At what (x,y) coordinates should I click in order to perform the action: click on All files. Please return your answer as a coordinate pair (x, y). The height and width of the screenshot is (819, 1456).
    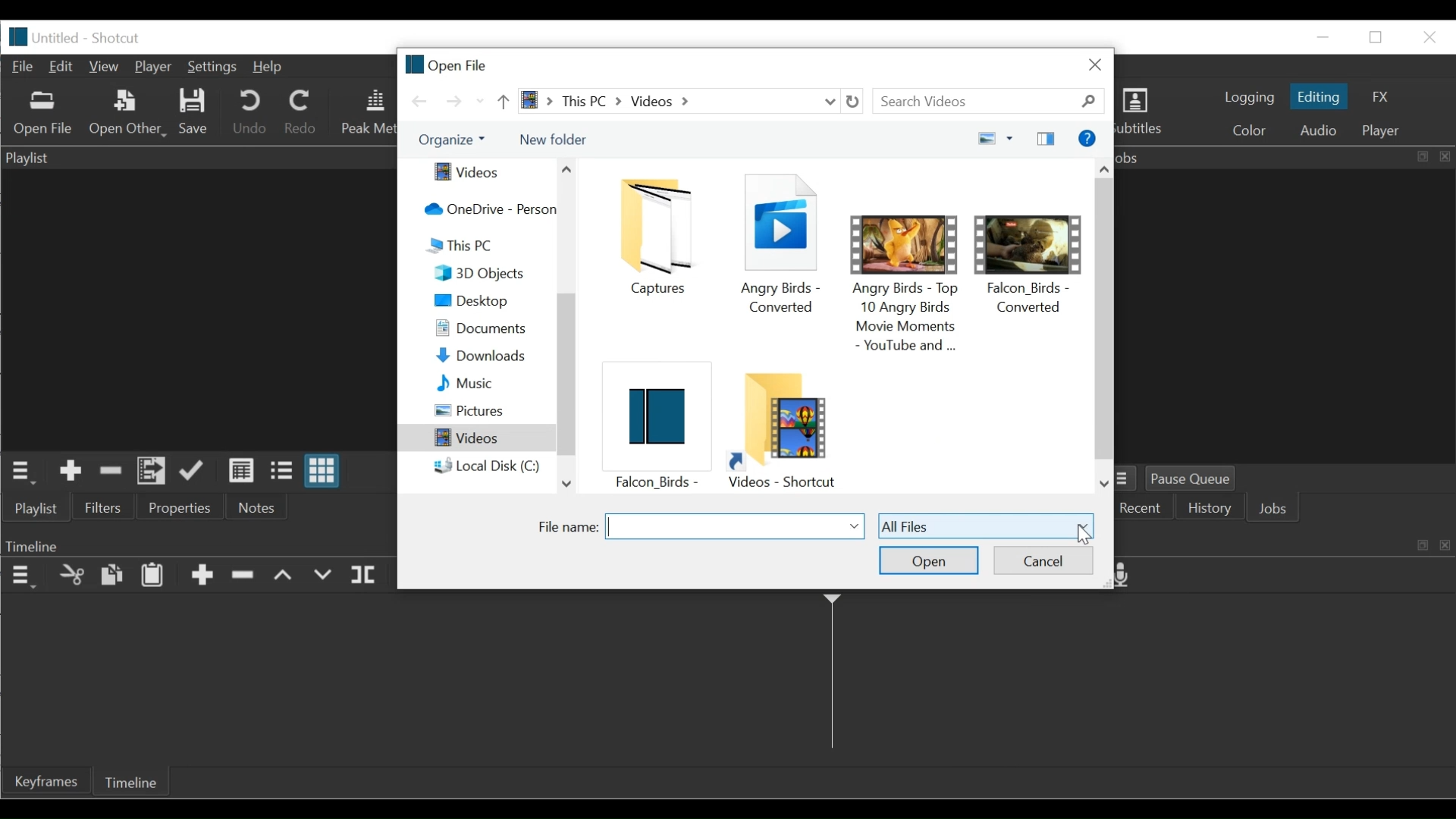
    Looking at the image, I should click on (986, 525).